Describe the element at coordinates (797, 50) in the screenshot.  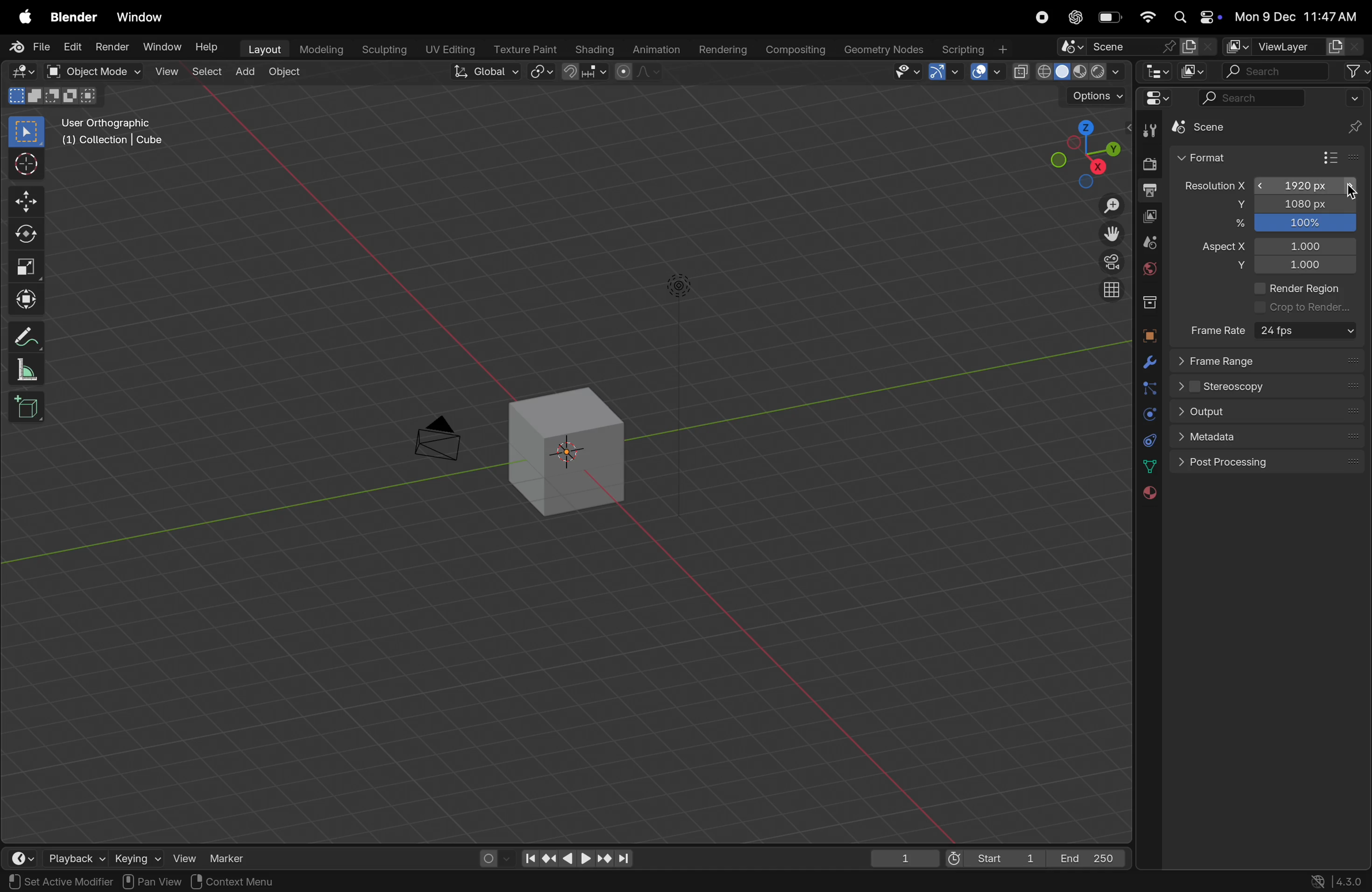
I see `composting` at that location.